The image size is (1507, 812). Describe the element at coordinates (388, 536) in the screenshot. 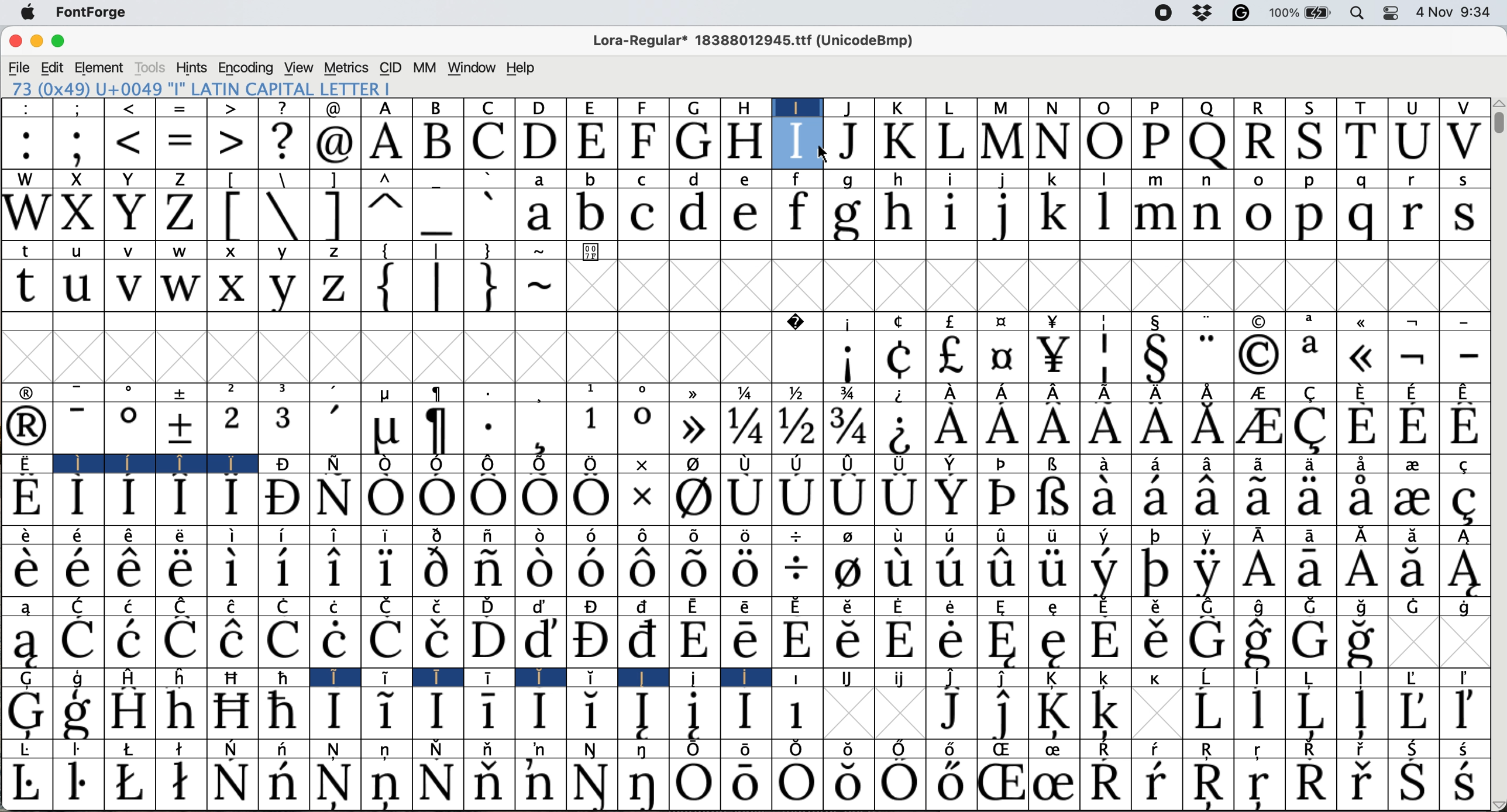

I see `Symbol` at that location.